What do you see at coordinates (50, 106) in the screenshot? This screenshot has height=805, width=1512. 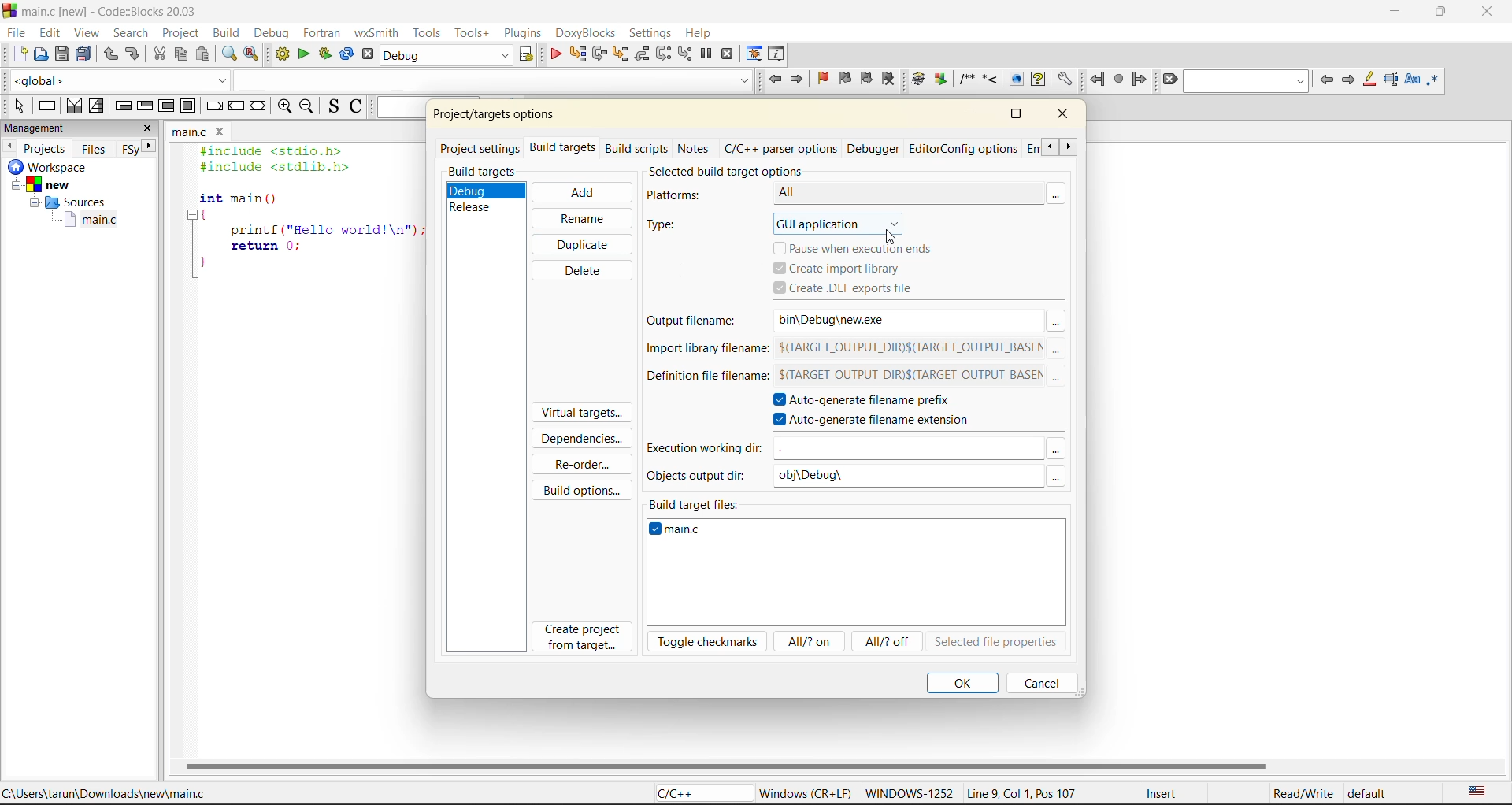 I see `instruction` at bounding box center [50, 106].